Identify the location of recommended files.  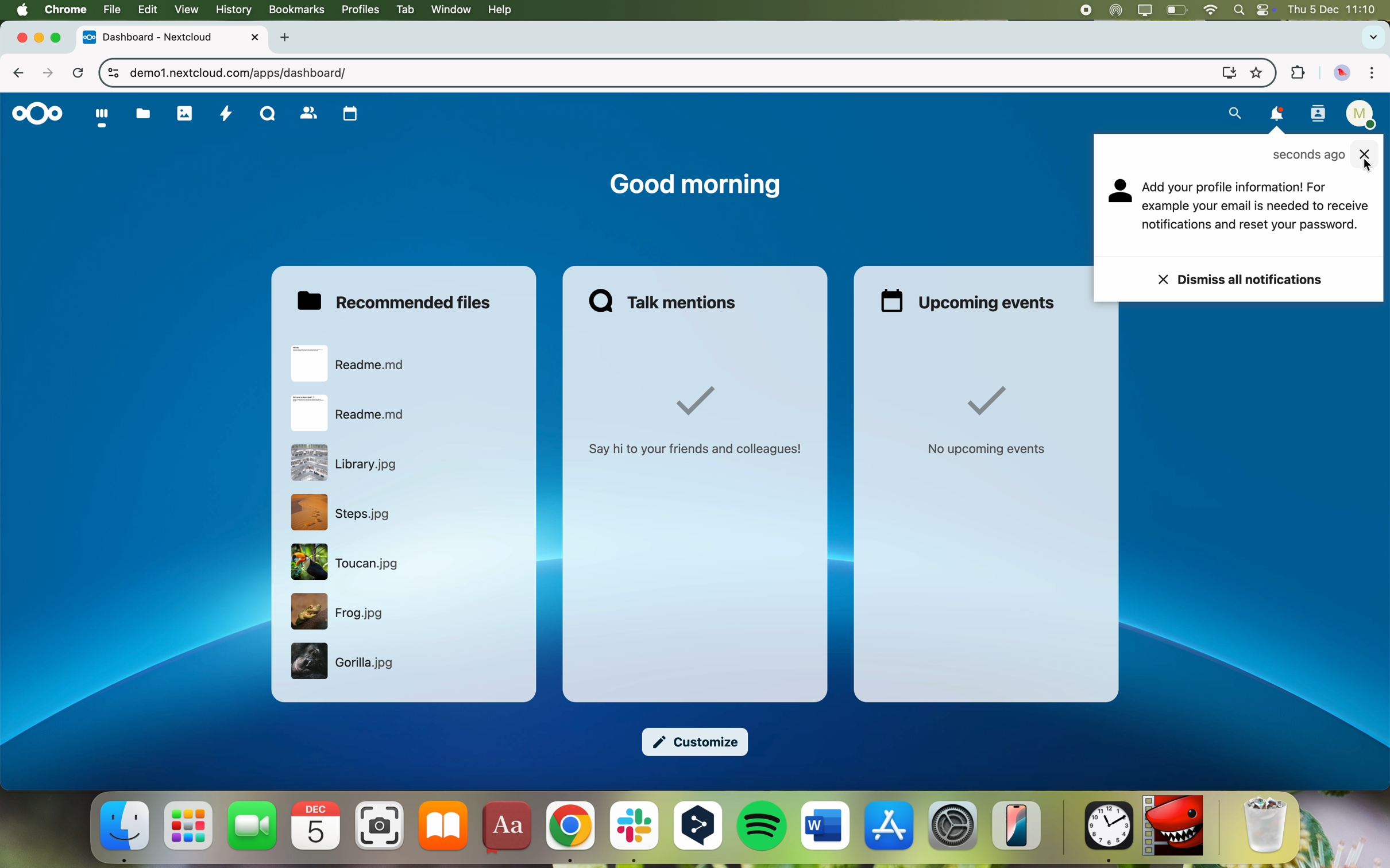
(398, 300).